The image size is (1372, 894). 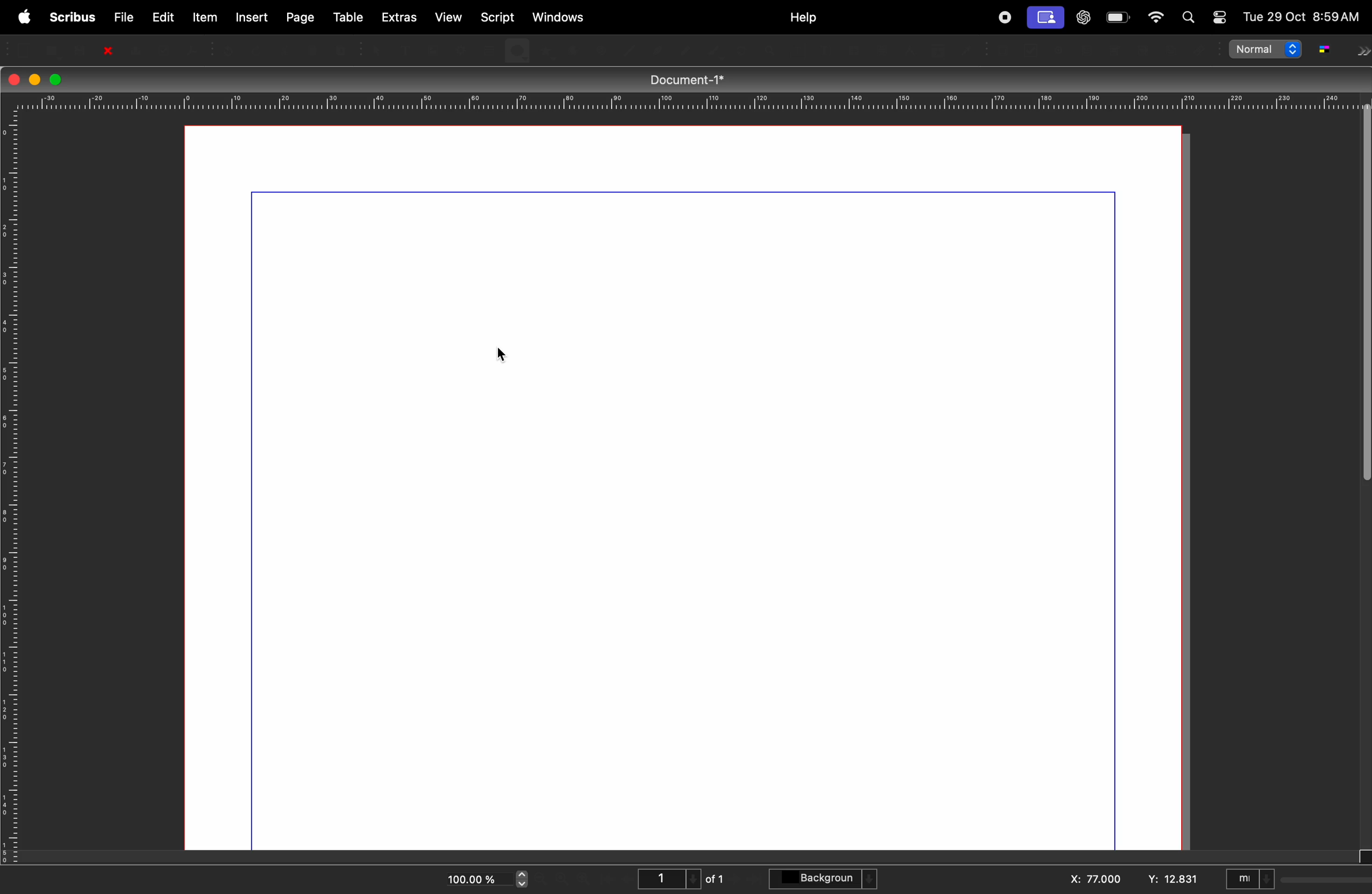 I want to click on battery, so click(x=1118, y=18).